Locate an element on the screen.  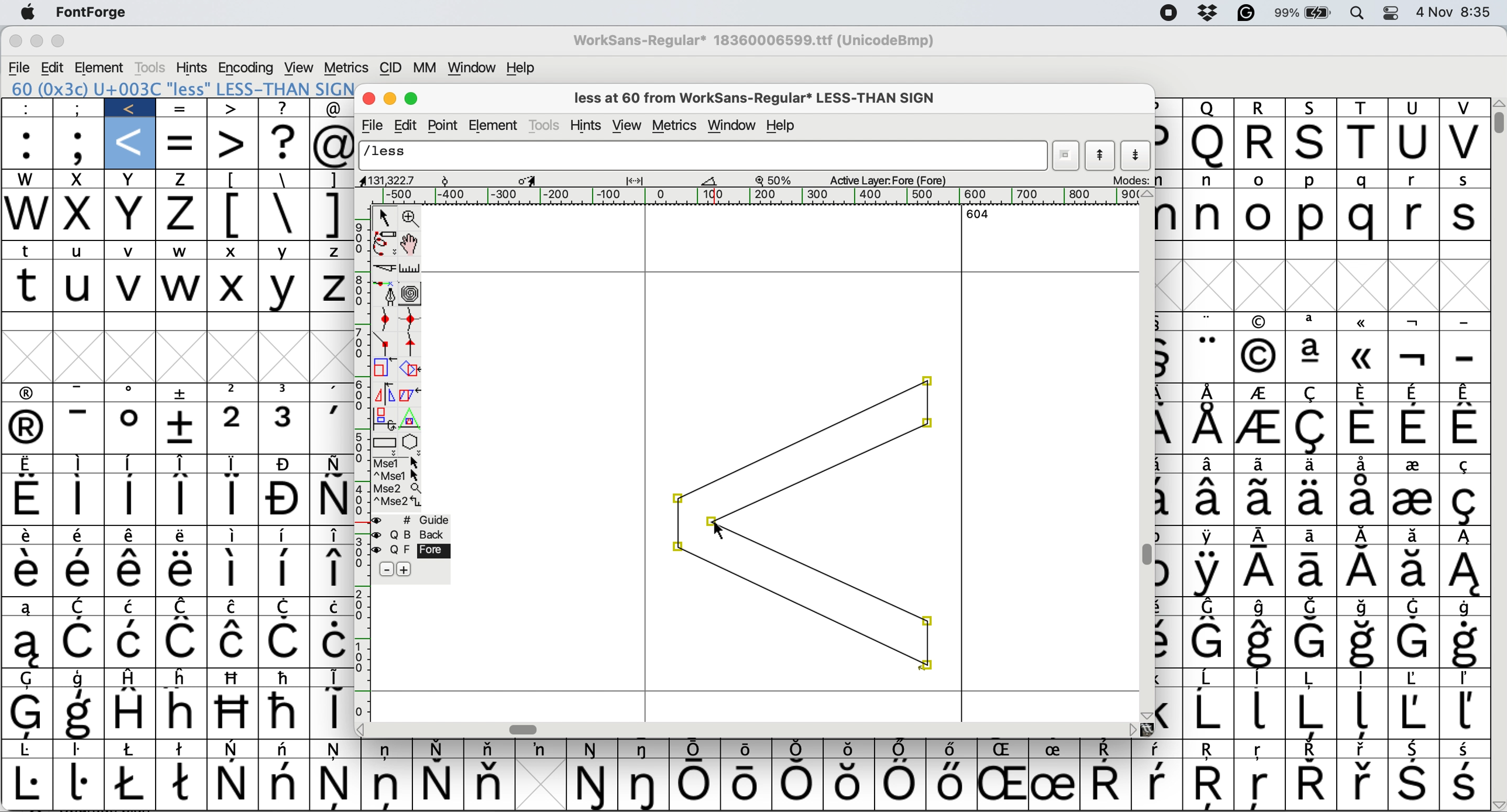
close is located at coordinates (12, 42).